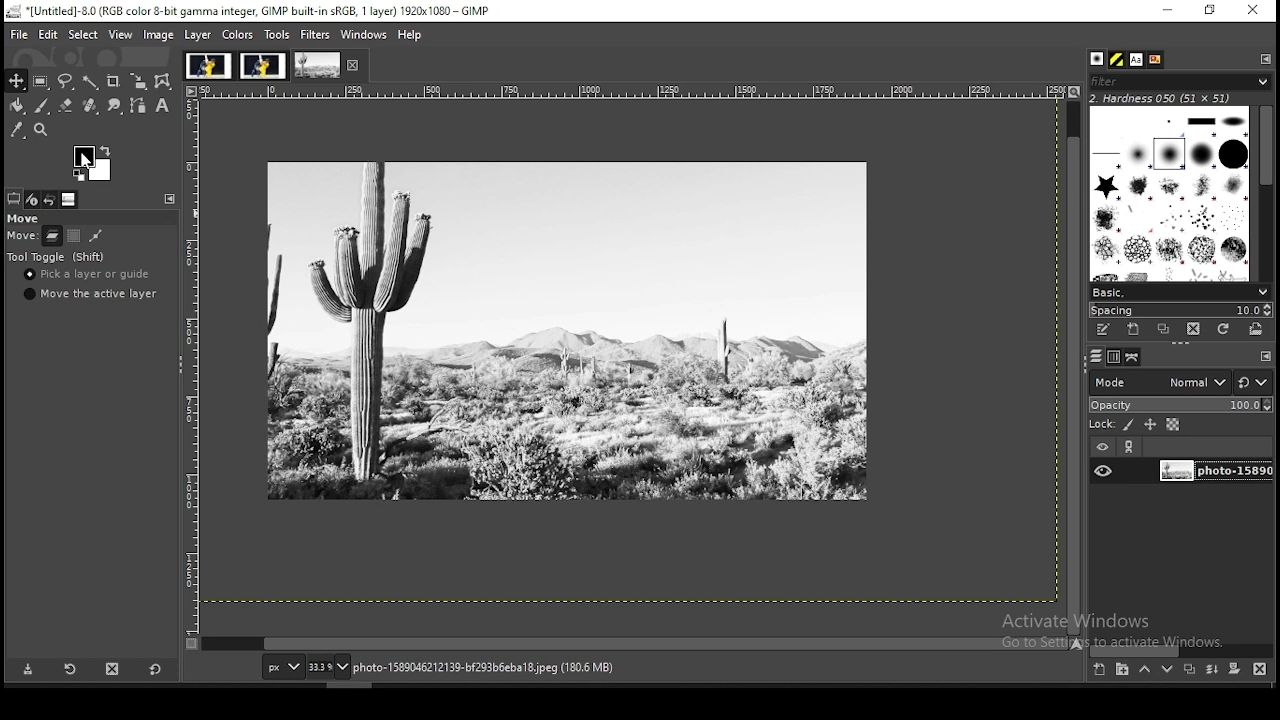 This screenshot has width=1280, height=720. What do you see at coordinates (1134, 357) in the screenshot?
I see `paths` at bounding box center [1134, 357].